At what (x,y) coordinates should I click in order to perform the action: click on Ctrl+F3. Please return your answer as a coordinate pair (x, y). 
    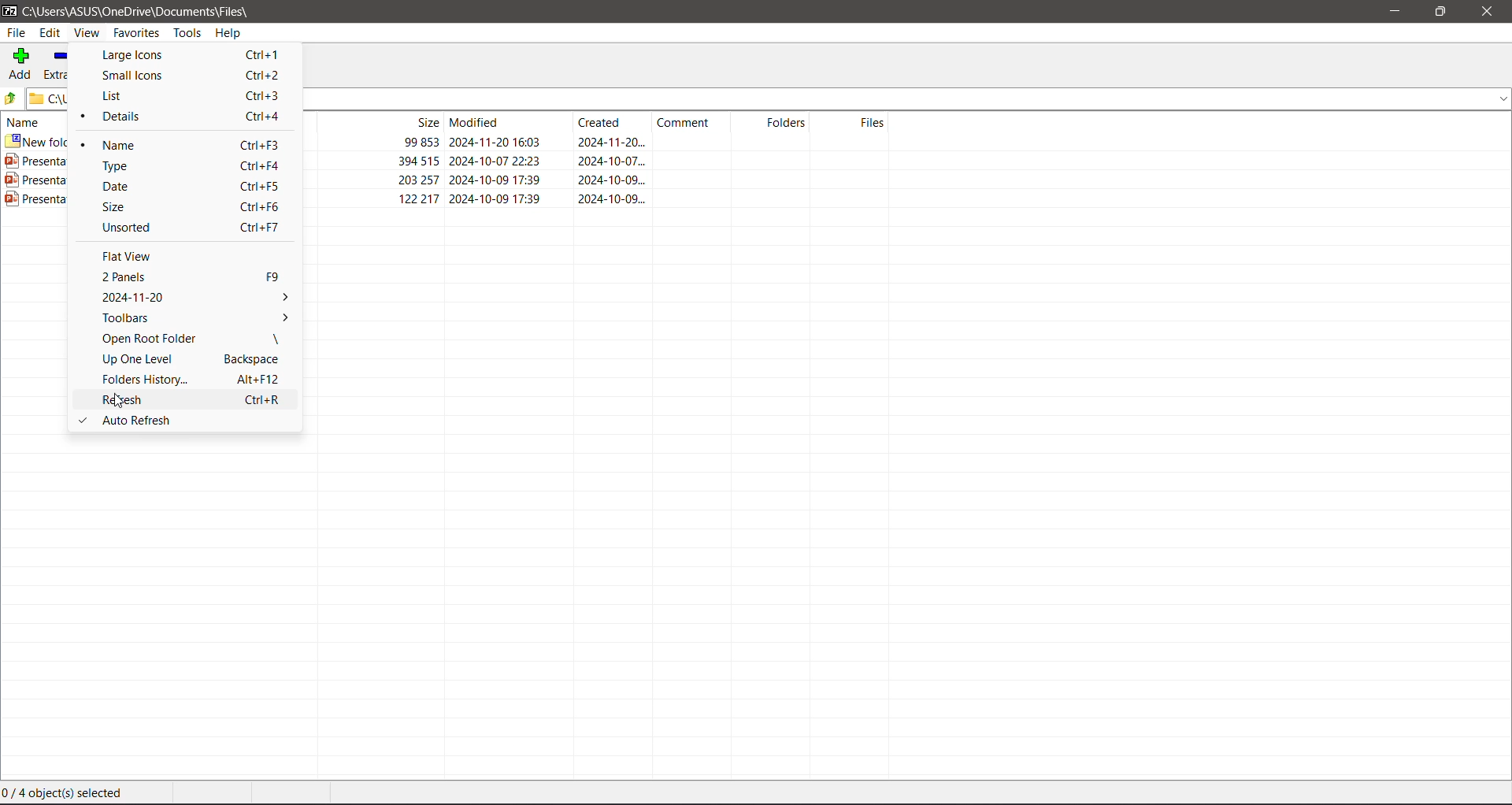
    Looking at the image, I should click on (263, 144).